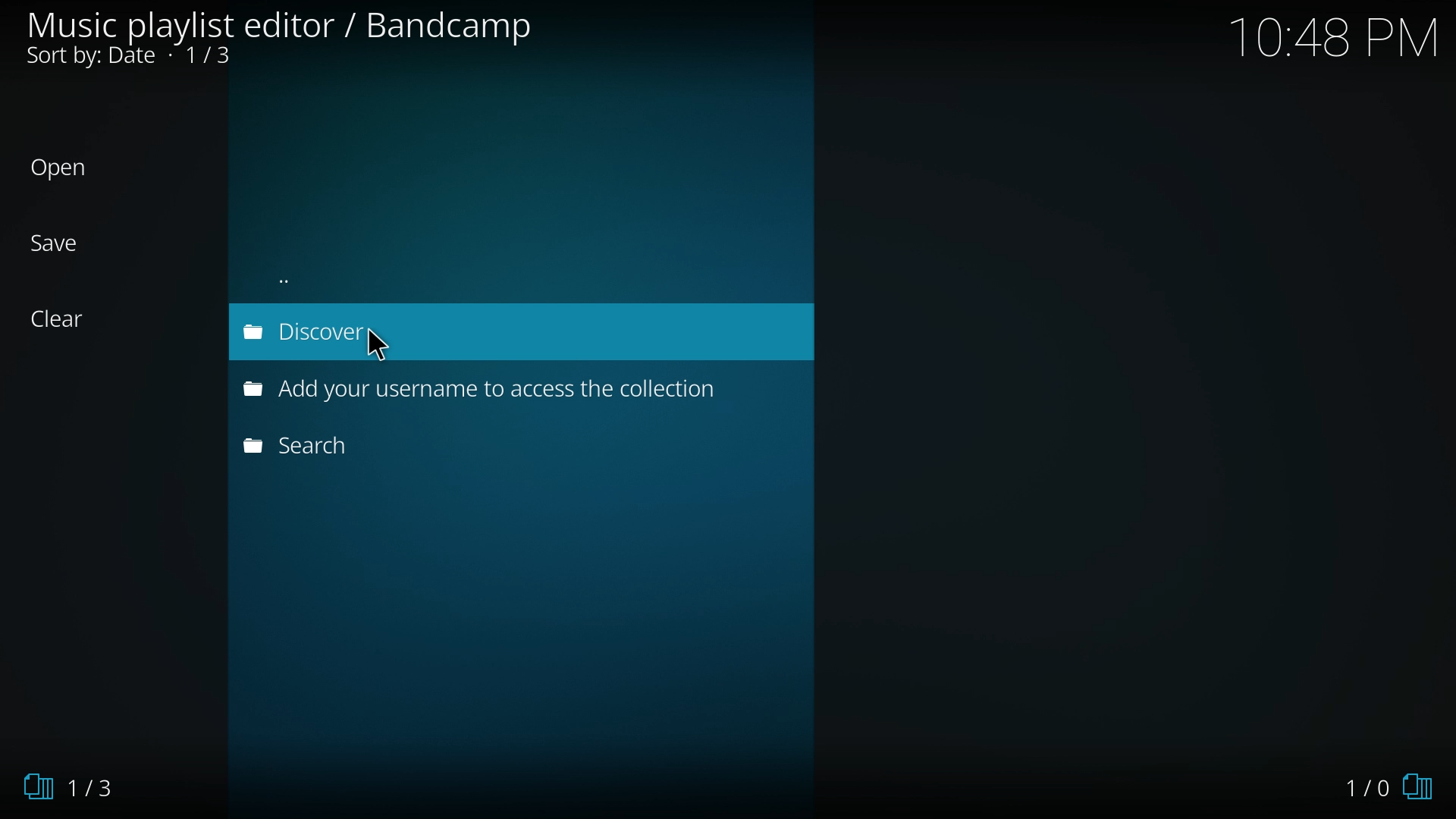 The width and height of the screenshot is (1456, 819). I want to click on discover, so click(302, 332).